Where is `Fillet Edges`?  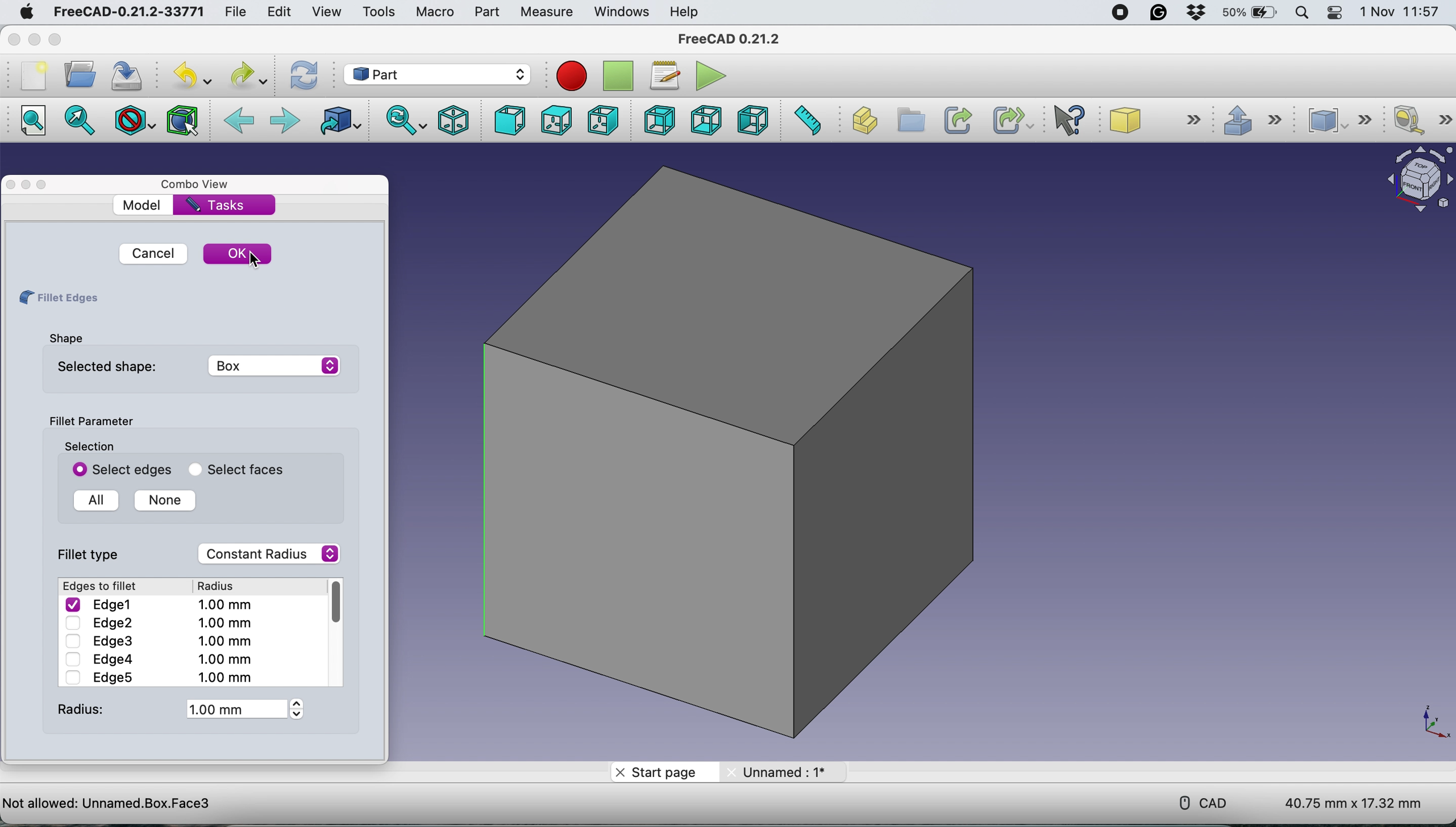
Fillet Edges is located at coordinates (57, 298).